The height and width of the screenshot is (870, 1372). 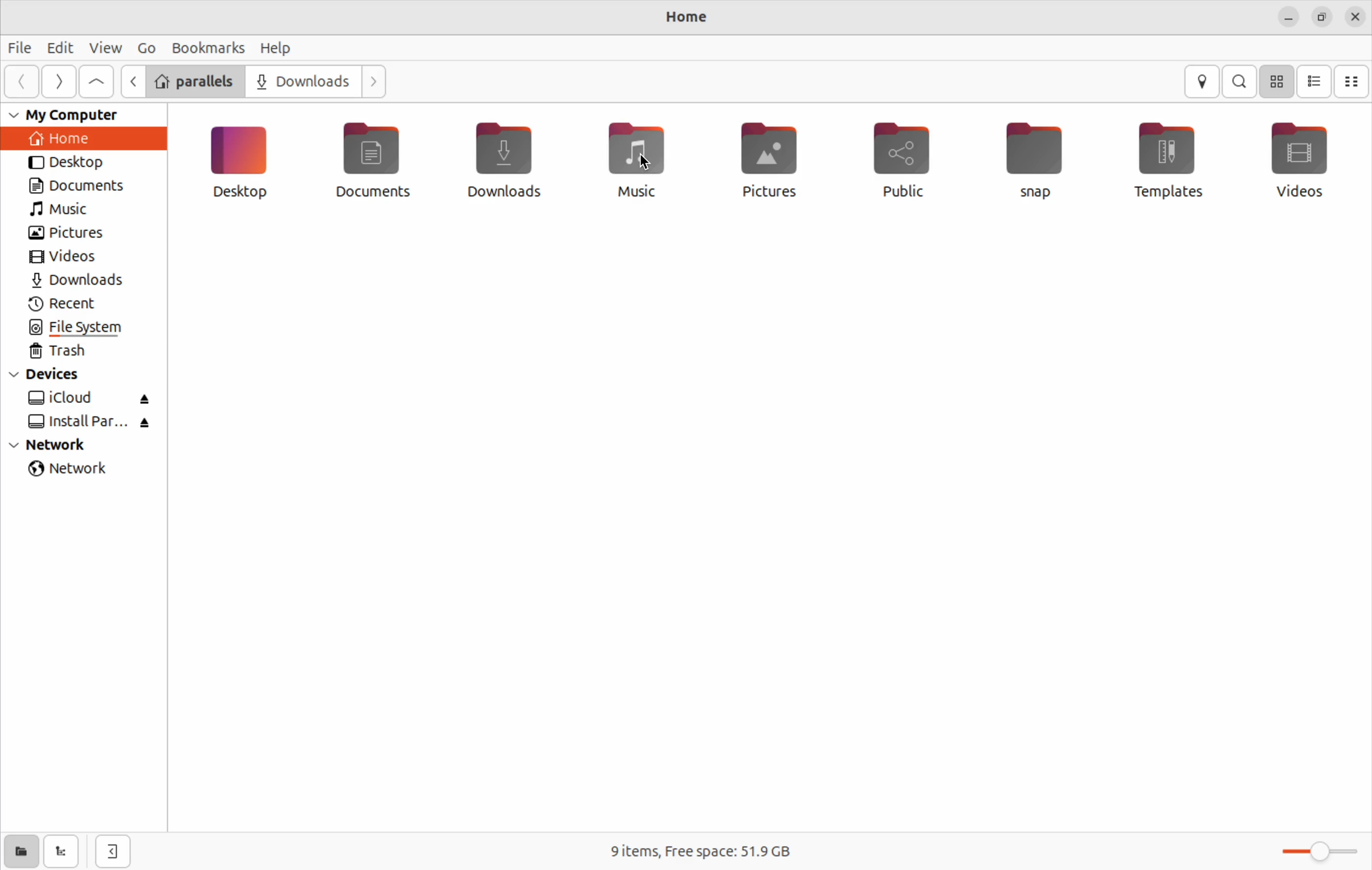 I want to click on desktop, so click(x=83, y=164).